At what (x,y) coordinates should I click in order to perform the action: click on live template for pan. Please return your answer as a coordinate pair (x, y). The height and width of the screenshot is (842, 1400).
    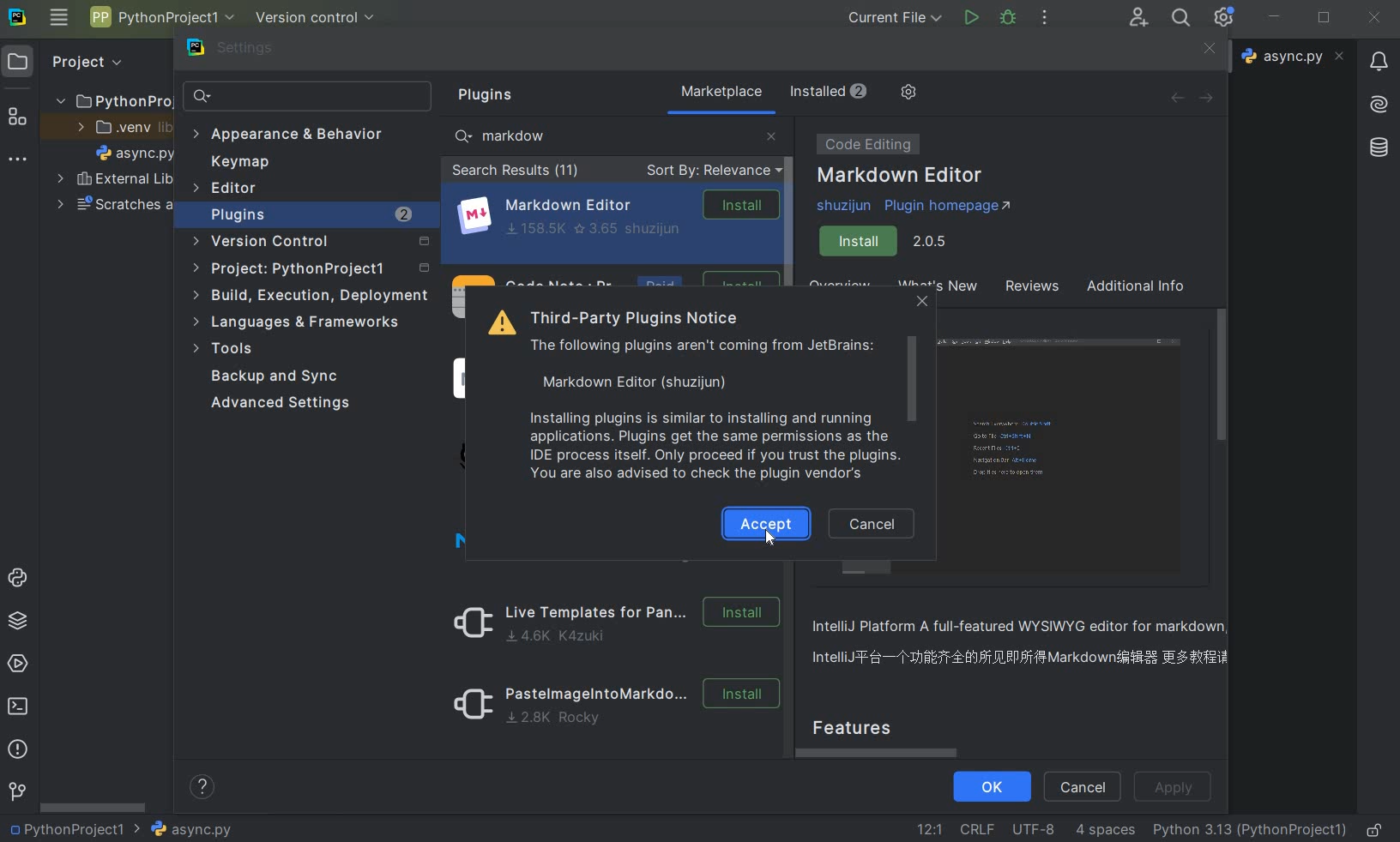
    Looking at the image, I should click on (611, 622).